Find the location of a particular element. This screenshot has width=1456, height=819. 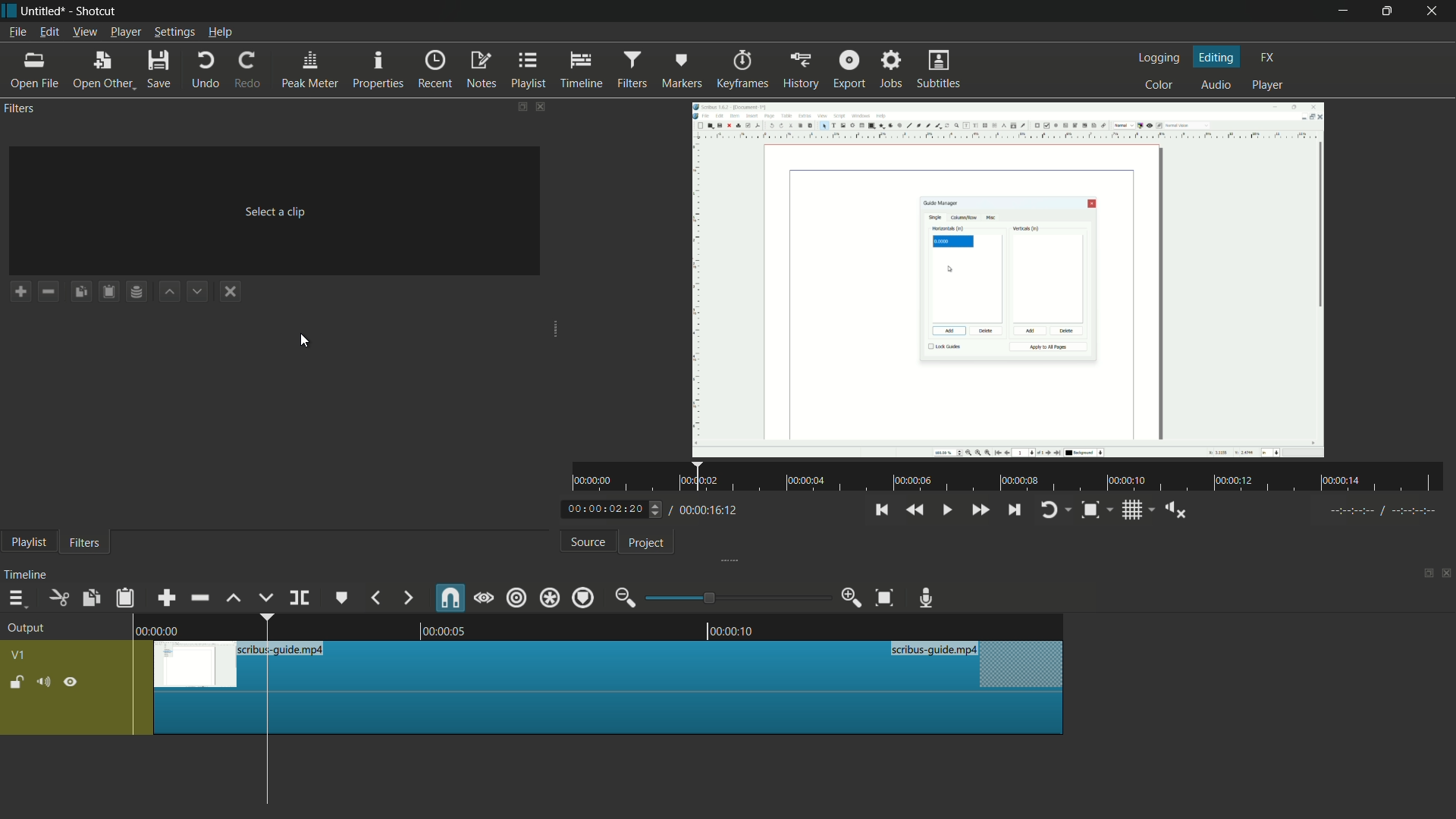

zoom in is located at coordinates (850, 598).